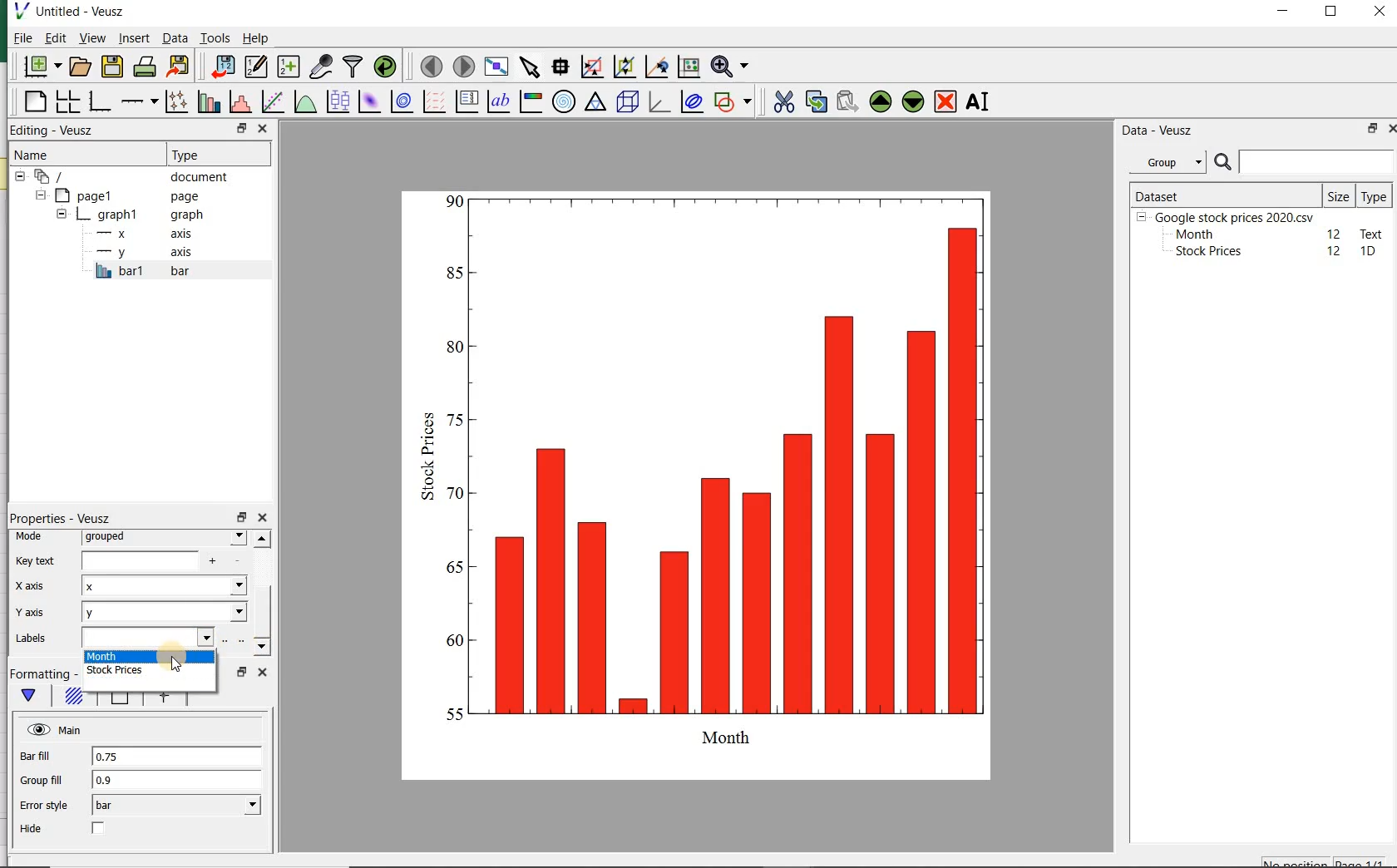 The image size is (1397, 868). Describe the element at coordinates (628, 103) in the screenshot. I see `3d scene` at that location.